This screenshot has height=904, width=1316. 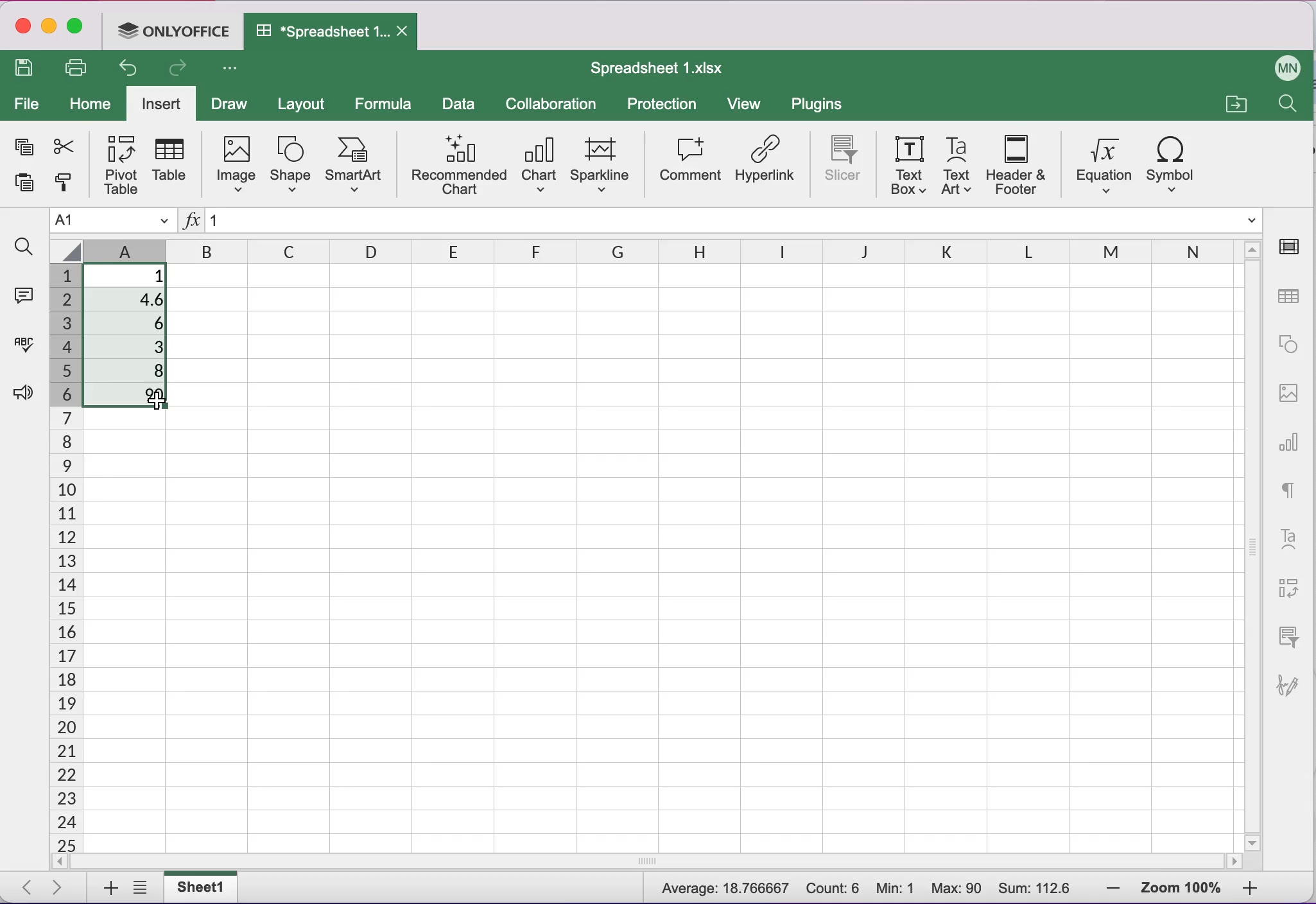 What do you see at coordinates (117, 164) in the screenshot?
I see `pivot table` at bounding box center [117, 164].